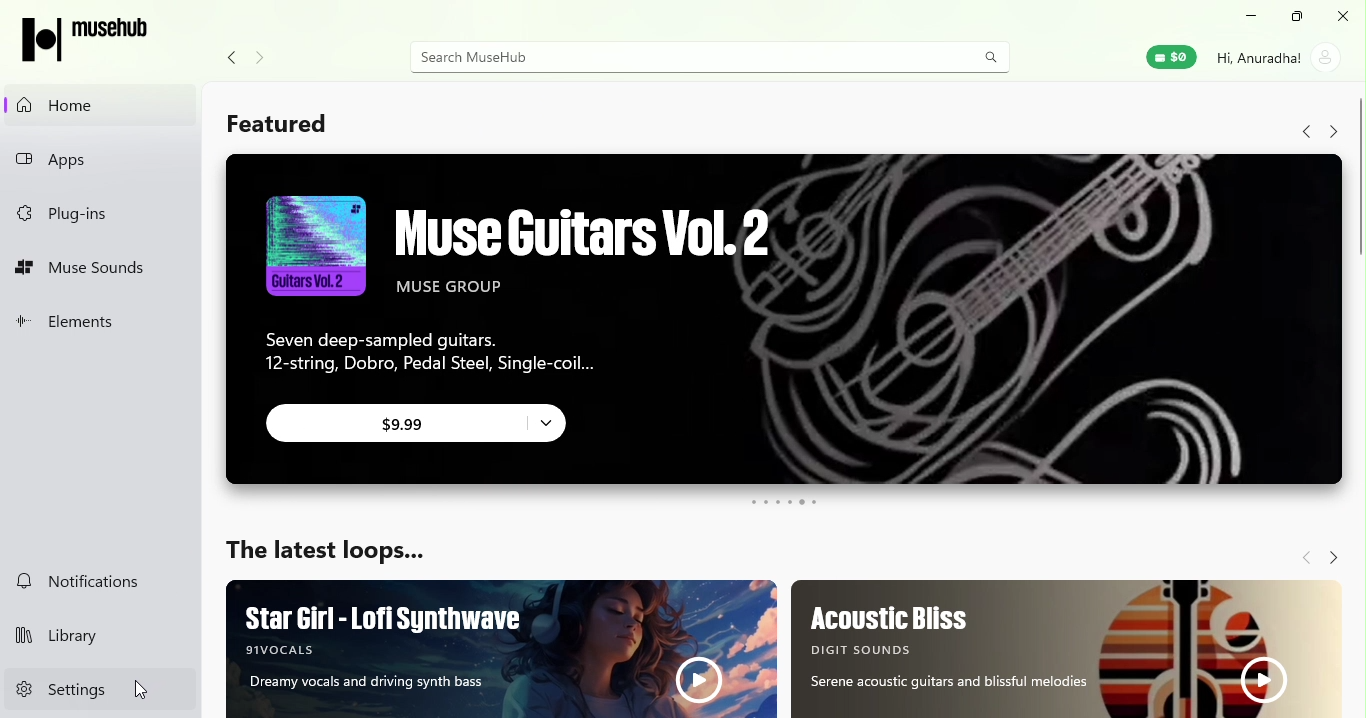 The height and width of the screenshot is (718, 1366). I want to click on Navigate back, so click(1306, 133).